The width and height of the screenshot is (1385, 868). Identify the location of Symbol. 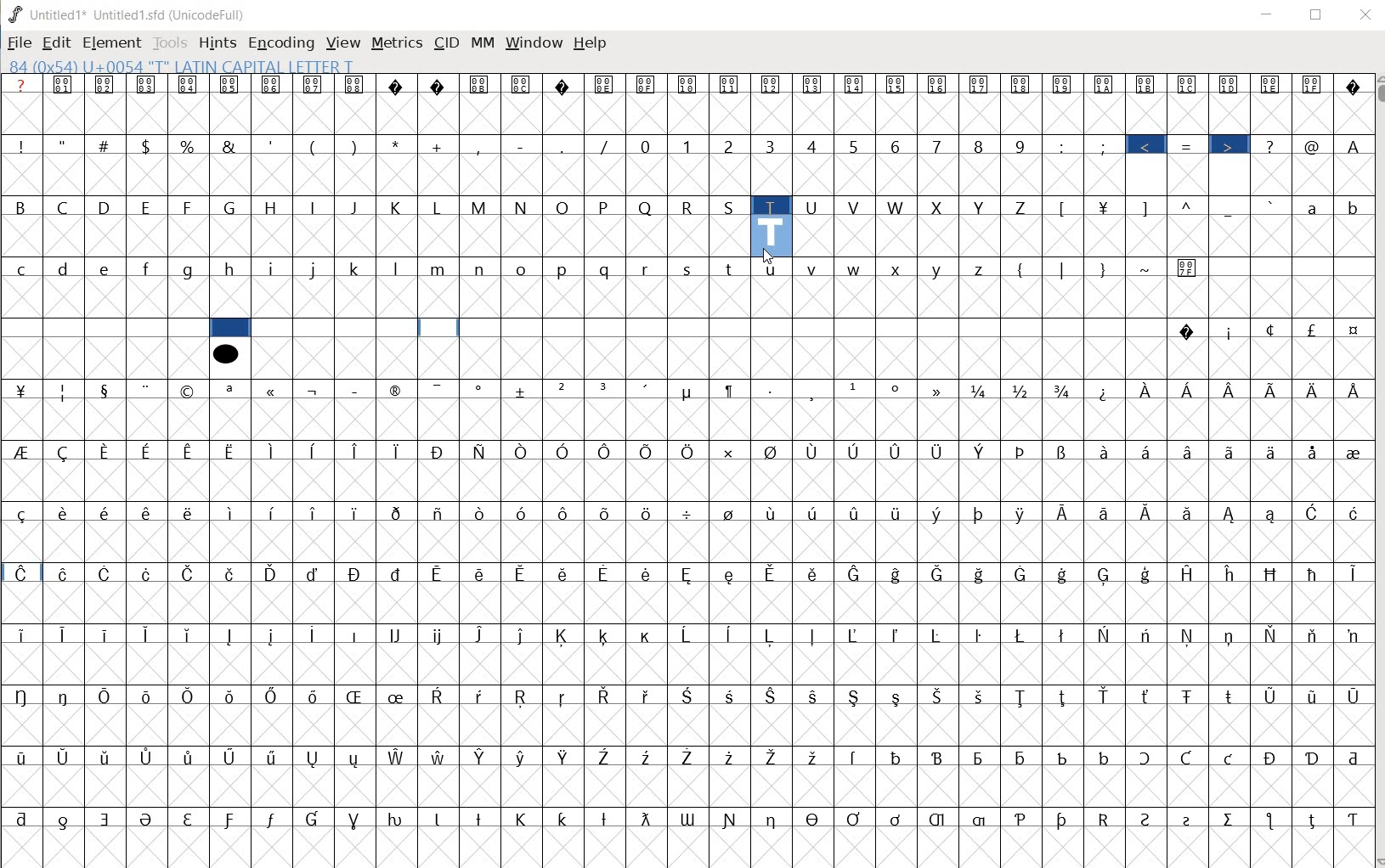
(815, 634).